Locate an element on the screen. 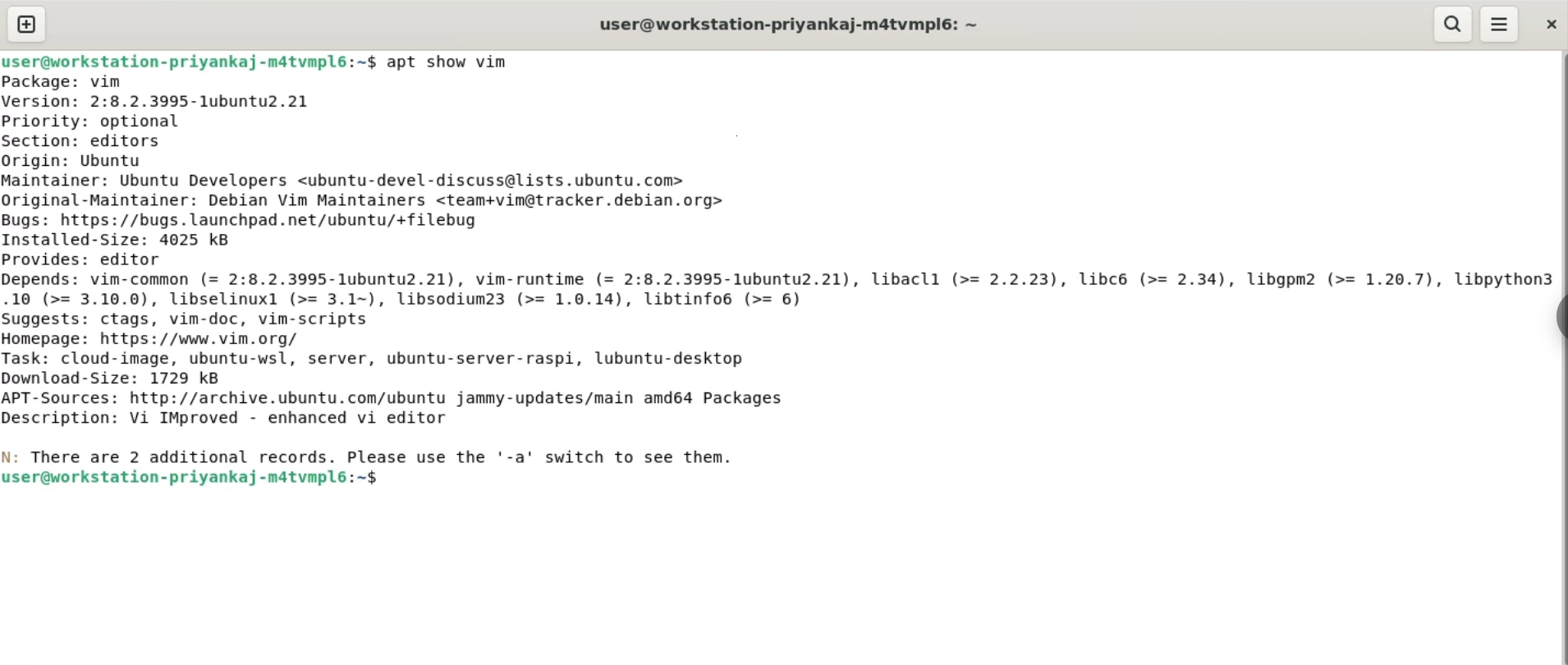 This screenshot has width=1568, height=665. user@workstation-priyankaj-m4tvmpl6:- is located at coordinates (786, 24).